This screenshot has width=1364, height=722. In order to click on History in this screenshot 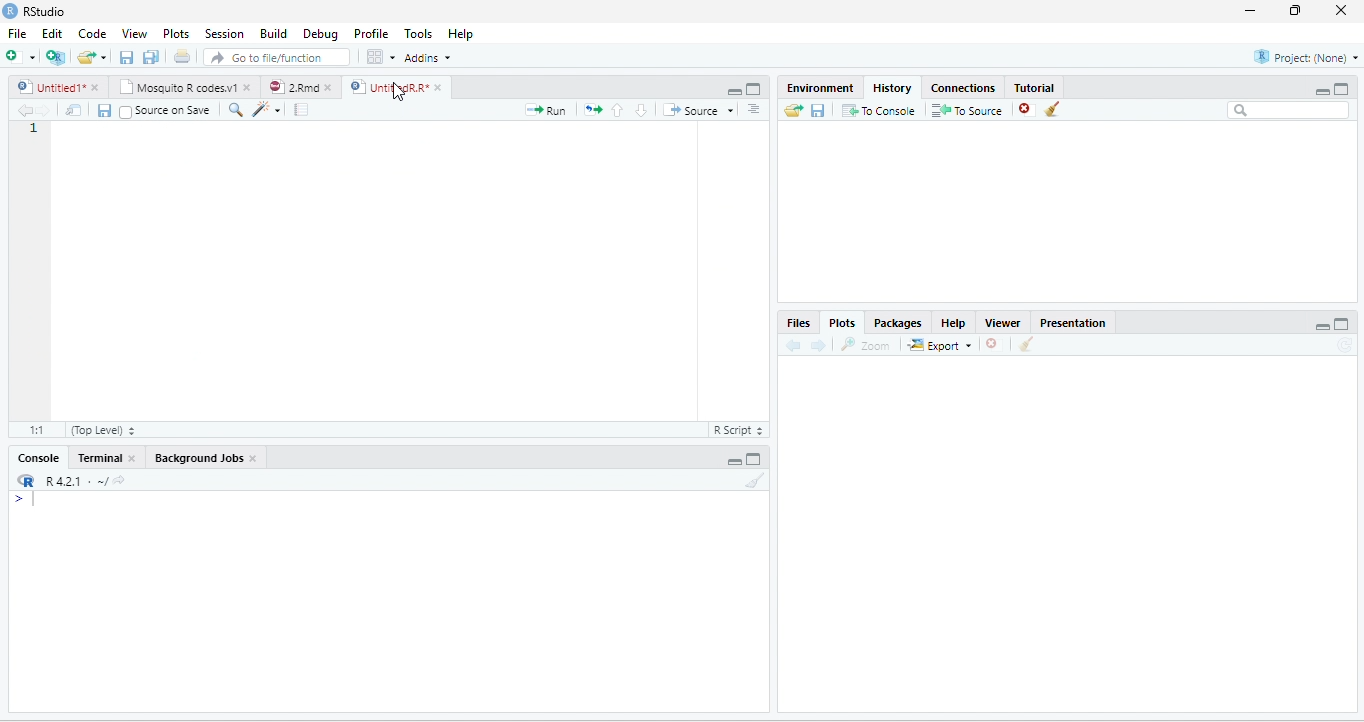, I will do `click(891, 88)`.